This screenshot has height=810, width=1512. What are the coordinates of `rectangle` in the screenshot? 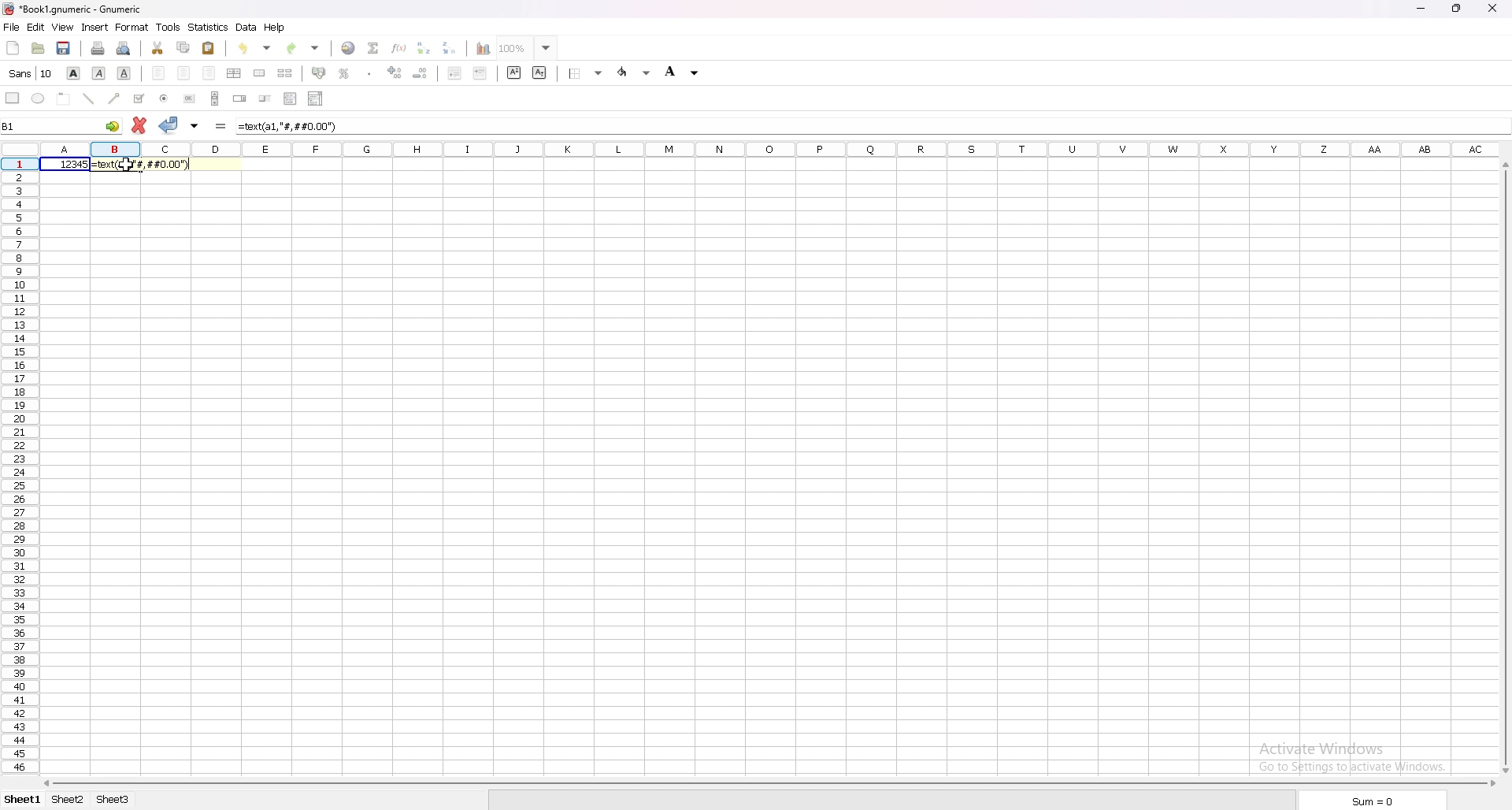 It's located at (13, 98).